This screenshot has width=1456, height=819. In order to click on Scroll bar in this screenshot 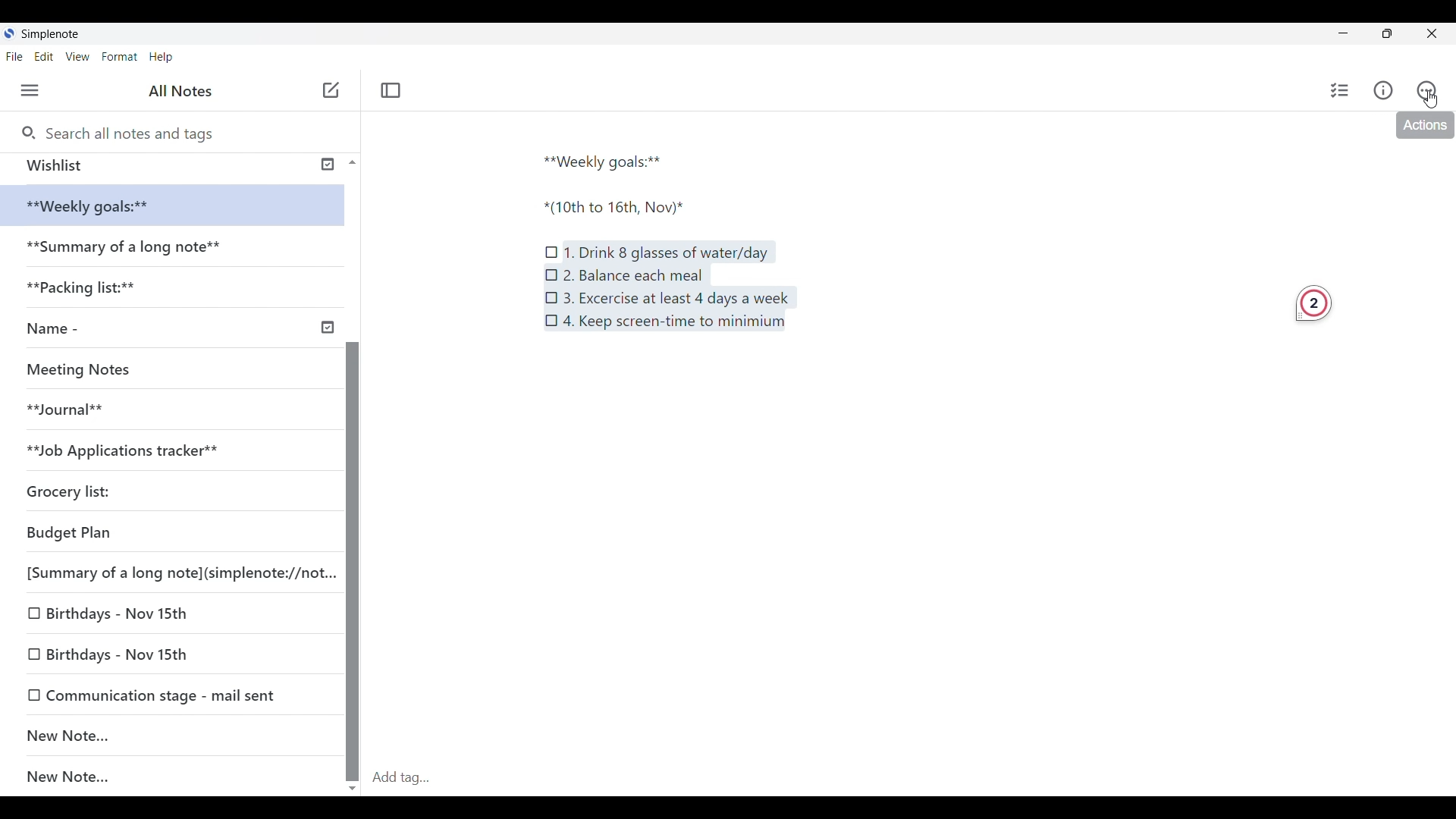, I will do `click(352, 523)`.